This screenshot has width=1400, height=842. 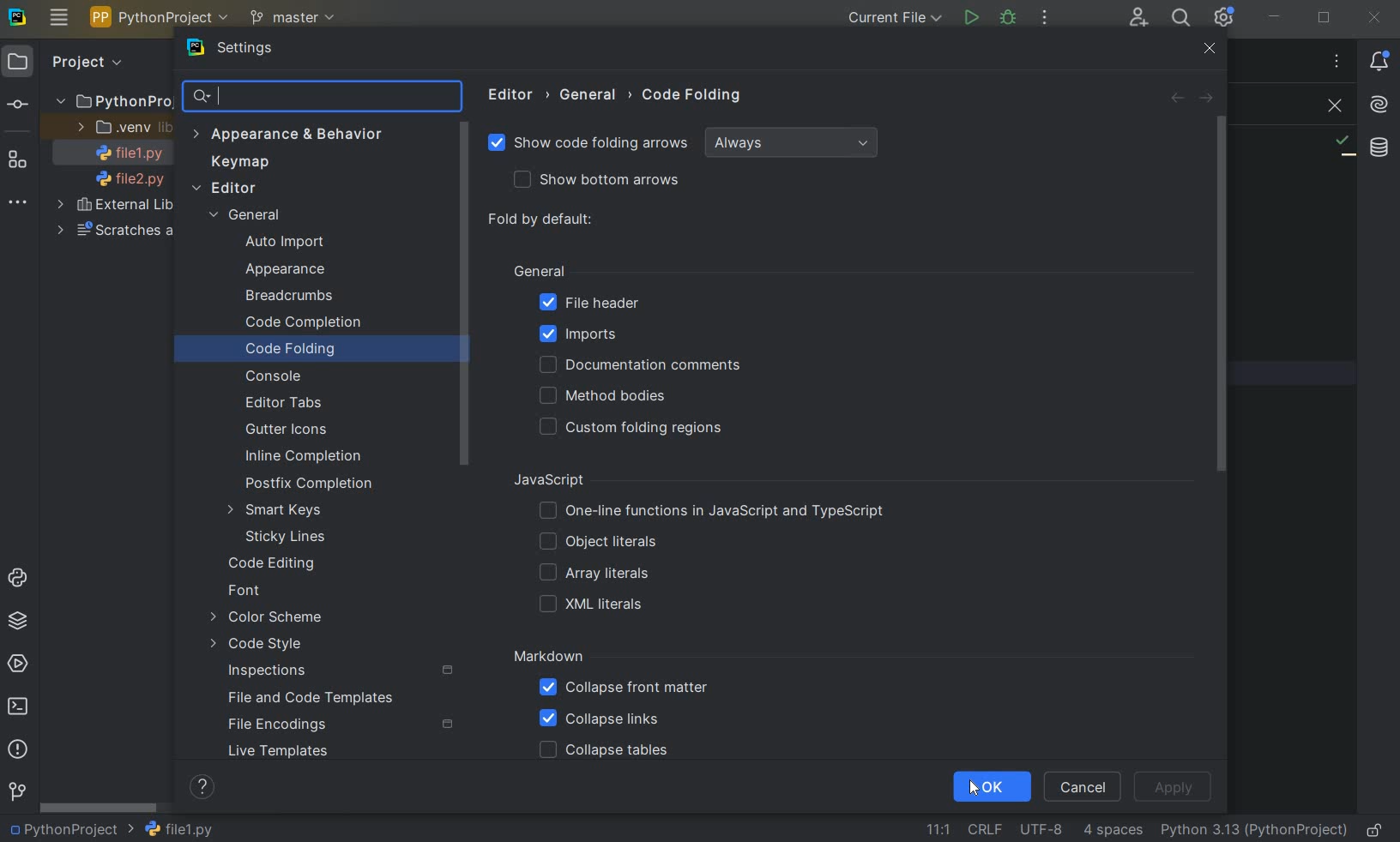 I want to click on CODE WITH ME, so click(x=1137, y=17).